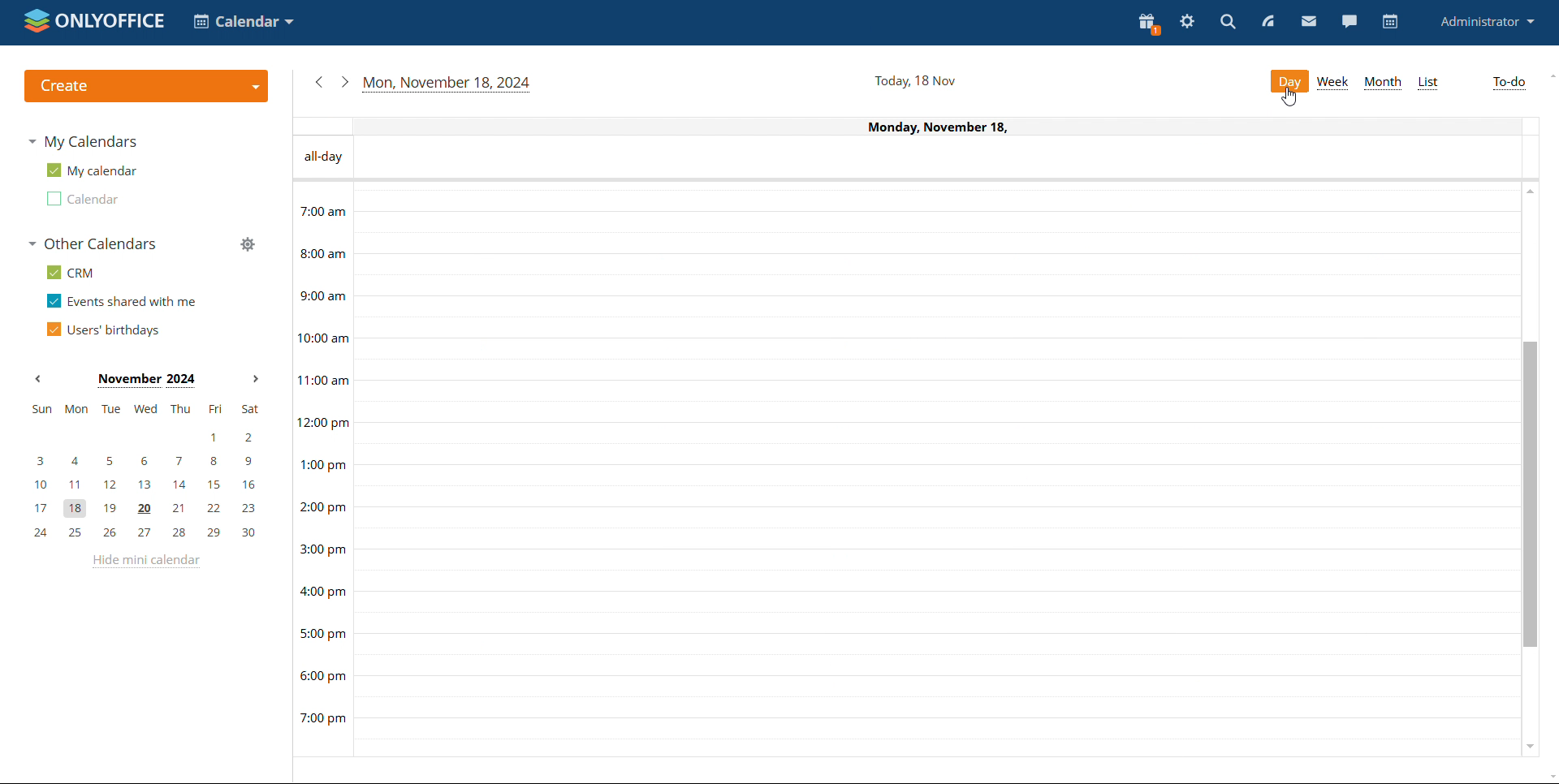 Image resolution: width=1559 pixels, height=784 pixels. Describe the element at coordinates (1189, 22) in the screenshot. I see `settings` at that location.